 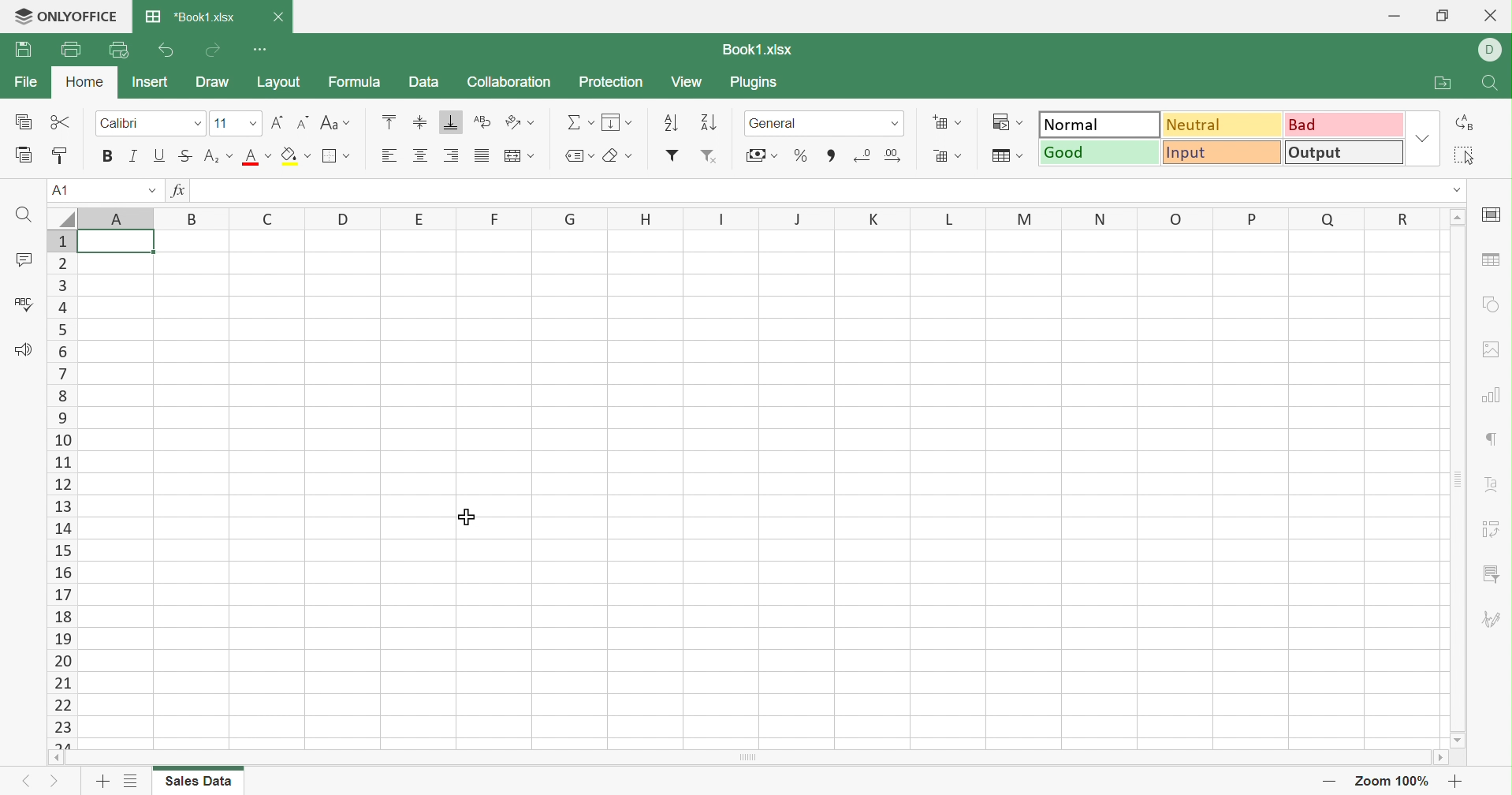 What do you see at coordinates (125, 248) in the screenshot?
I see `cell A1 highlighted` at bounding box center [125, 248].